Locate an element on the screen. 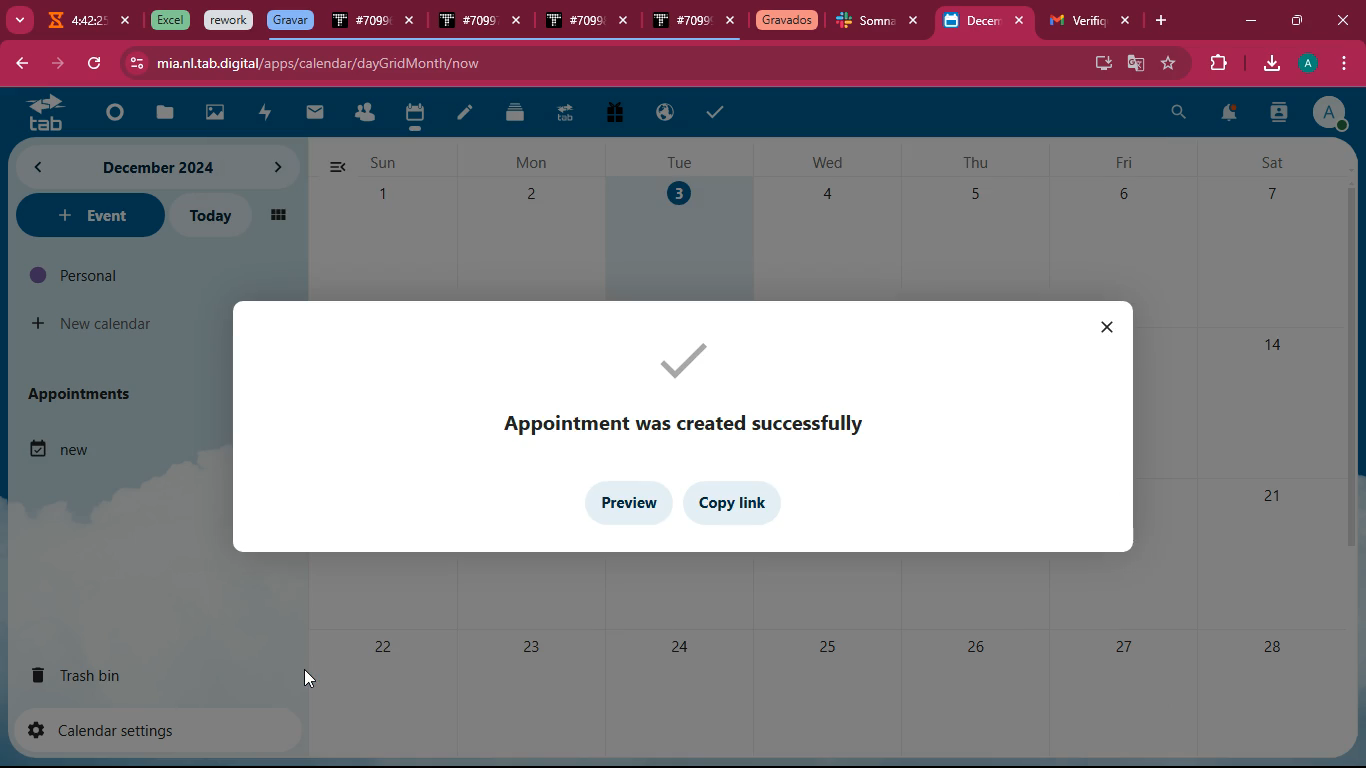 The image size is (1366, 768). close is located at coordinates (628, 23).